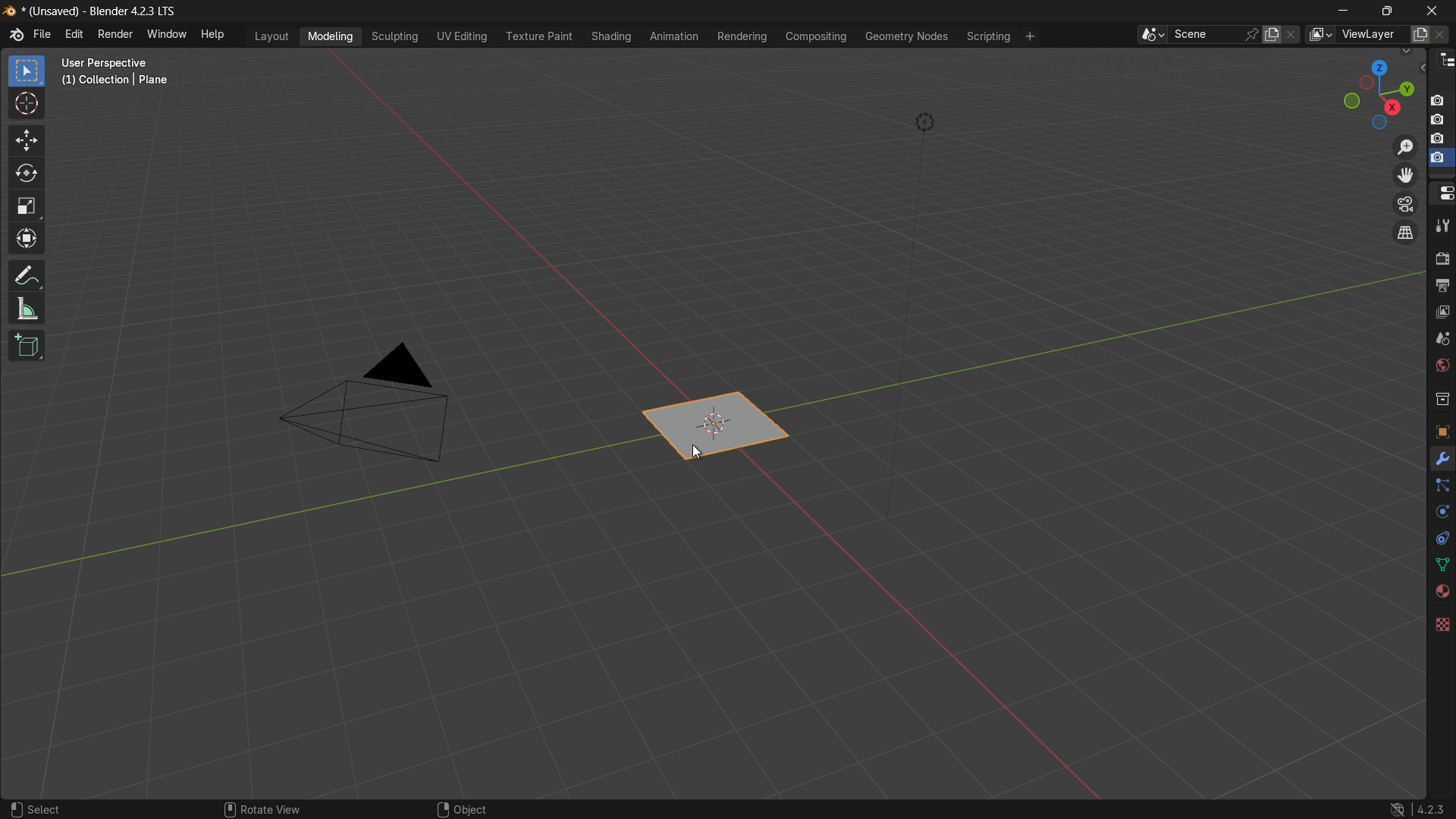 The height and width of the screenshot is (819, 1456). I want to click on measure, so click(28, 312).